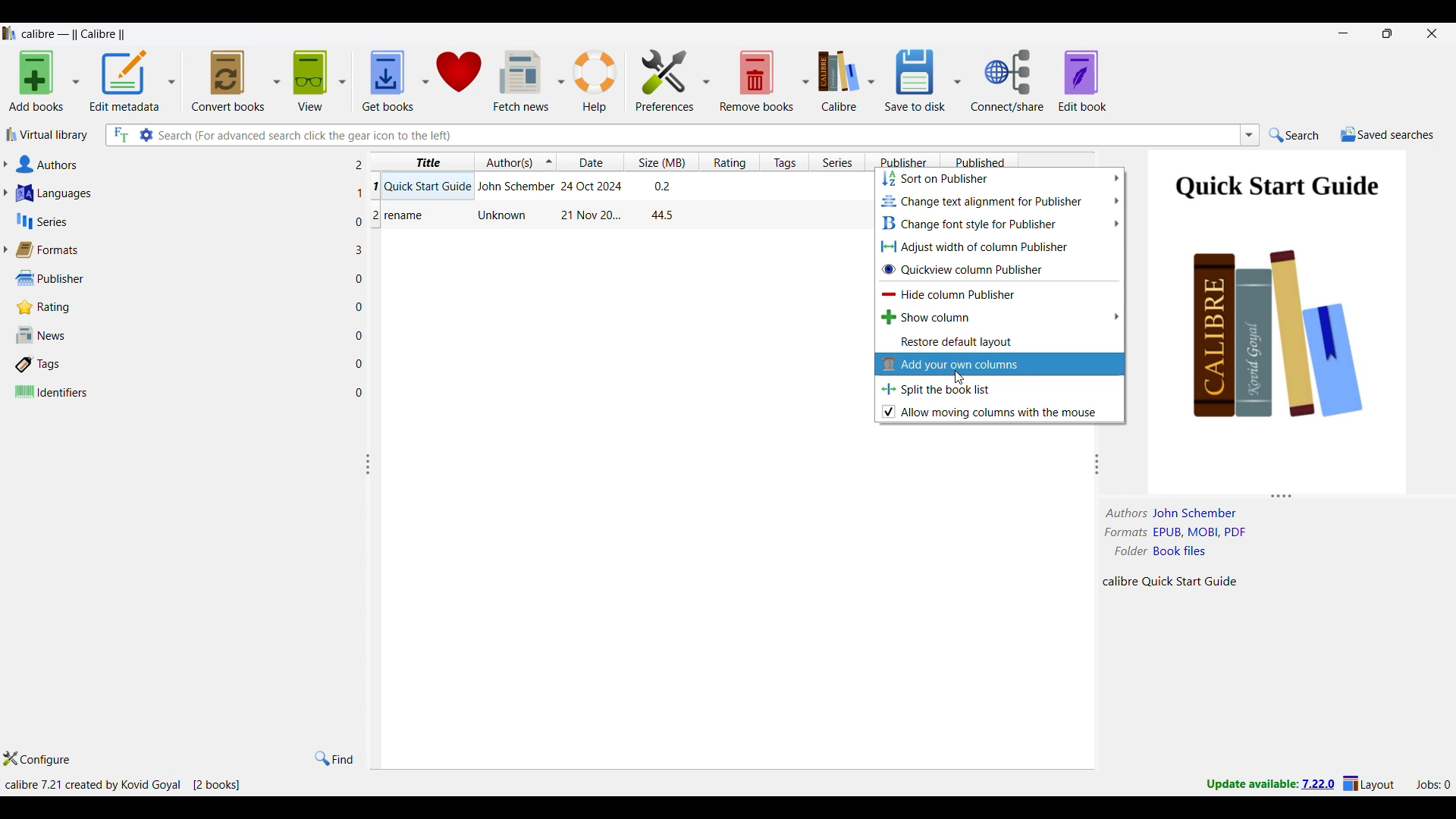  I want to click on Series column, so click(836, 162).